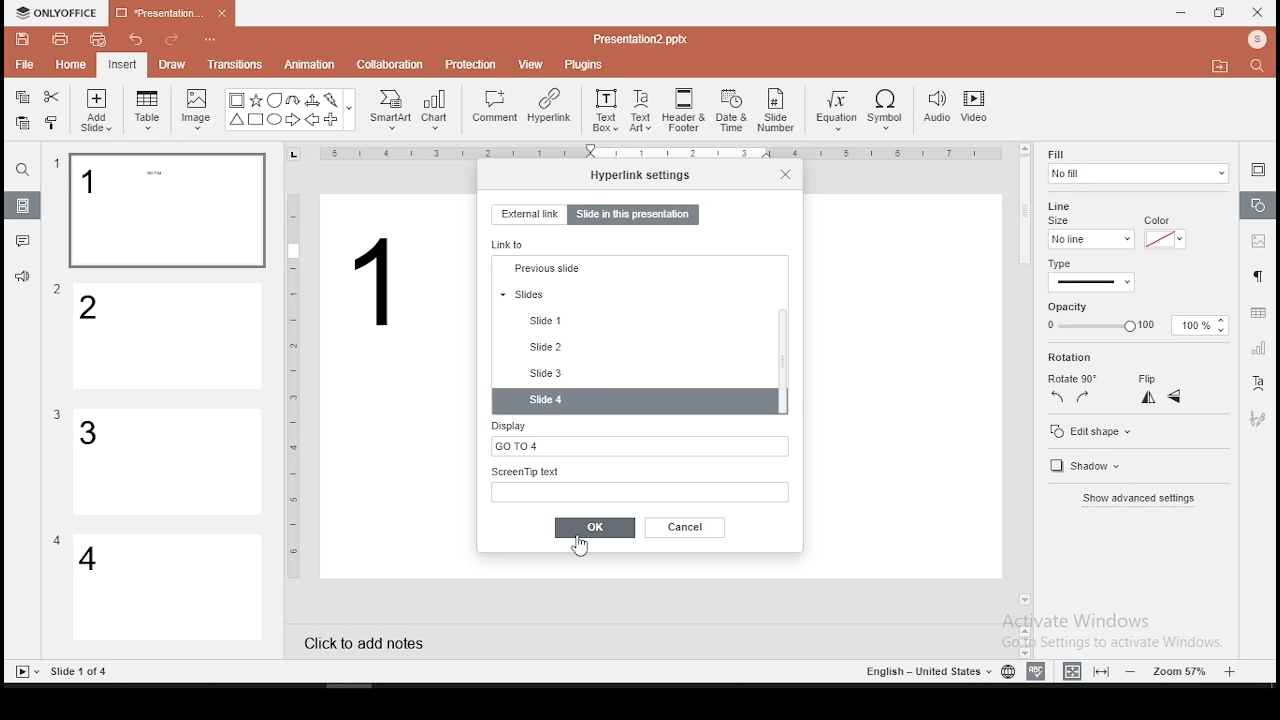 This screenshot has height=720, width=1280. Describe the element at coordinates (166, 211) in the screenshot. I see `slide 1` at that location.